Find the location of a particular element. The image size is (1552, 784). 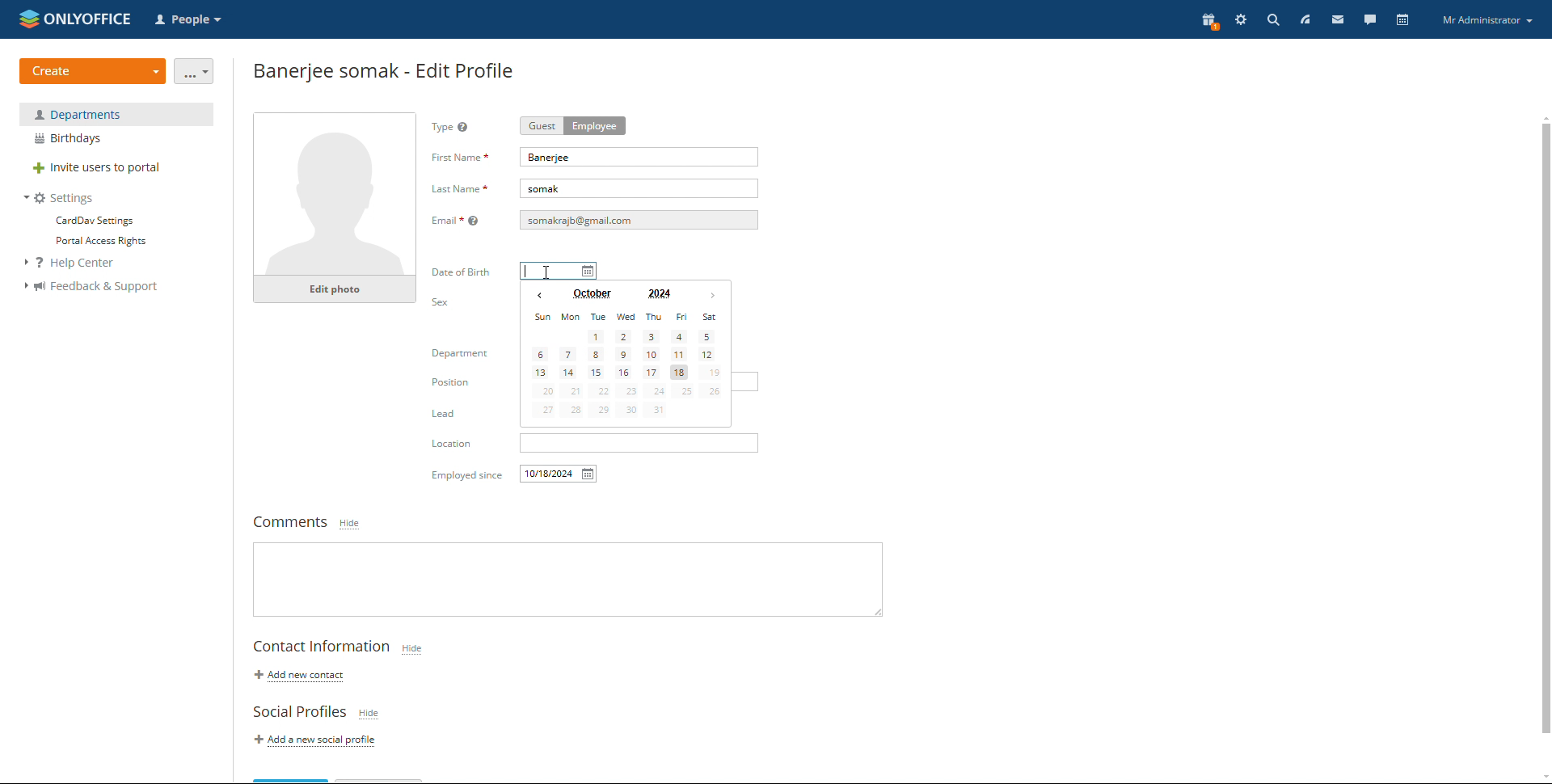

profile photo is located at coordinates (335, 194).